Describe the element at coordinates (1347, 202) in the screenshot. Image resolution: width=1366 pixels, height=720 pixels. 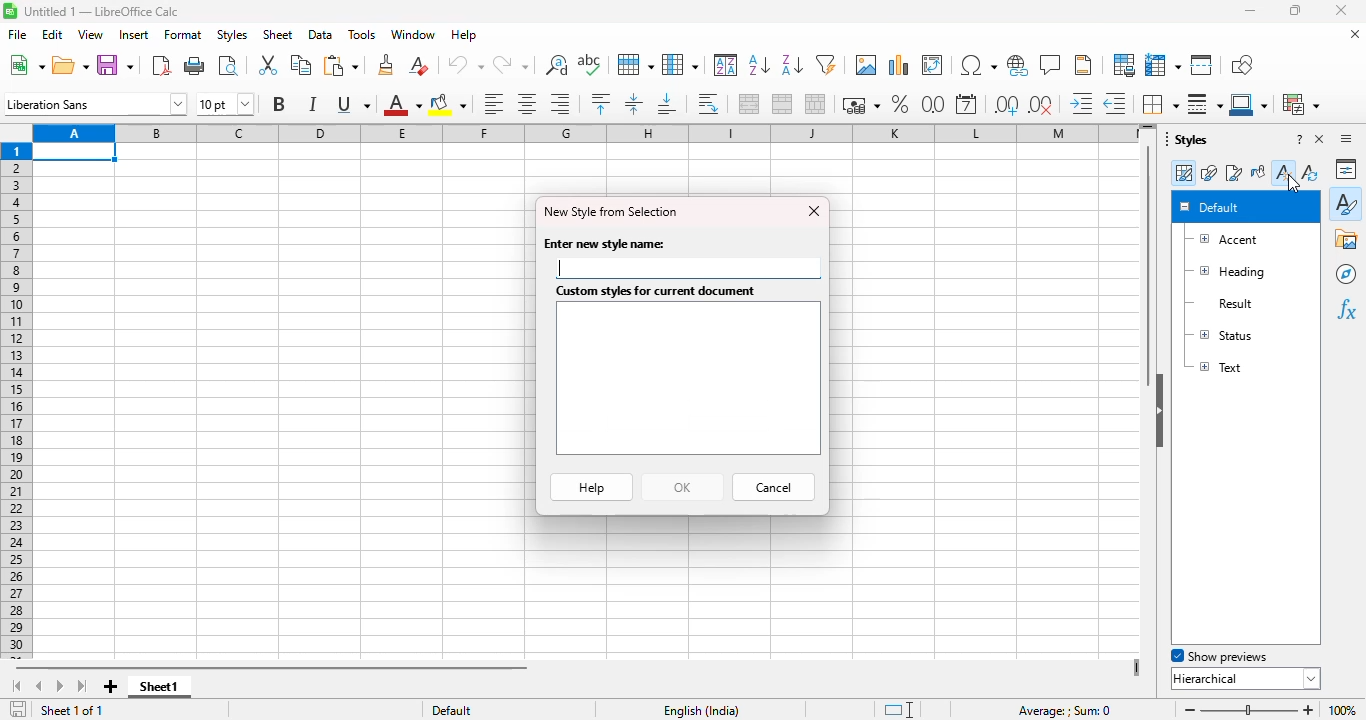
I see `styles` at that location.